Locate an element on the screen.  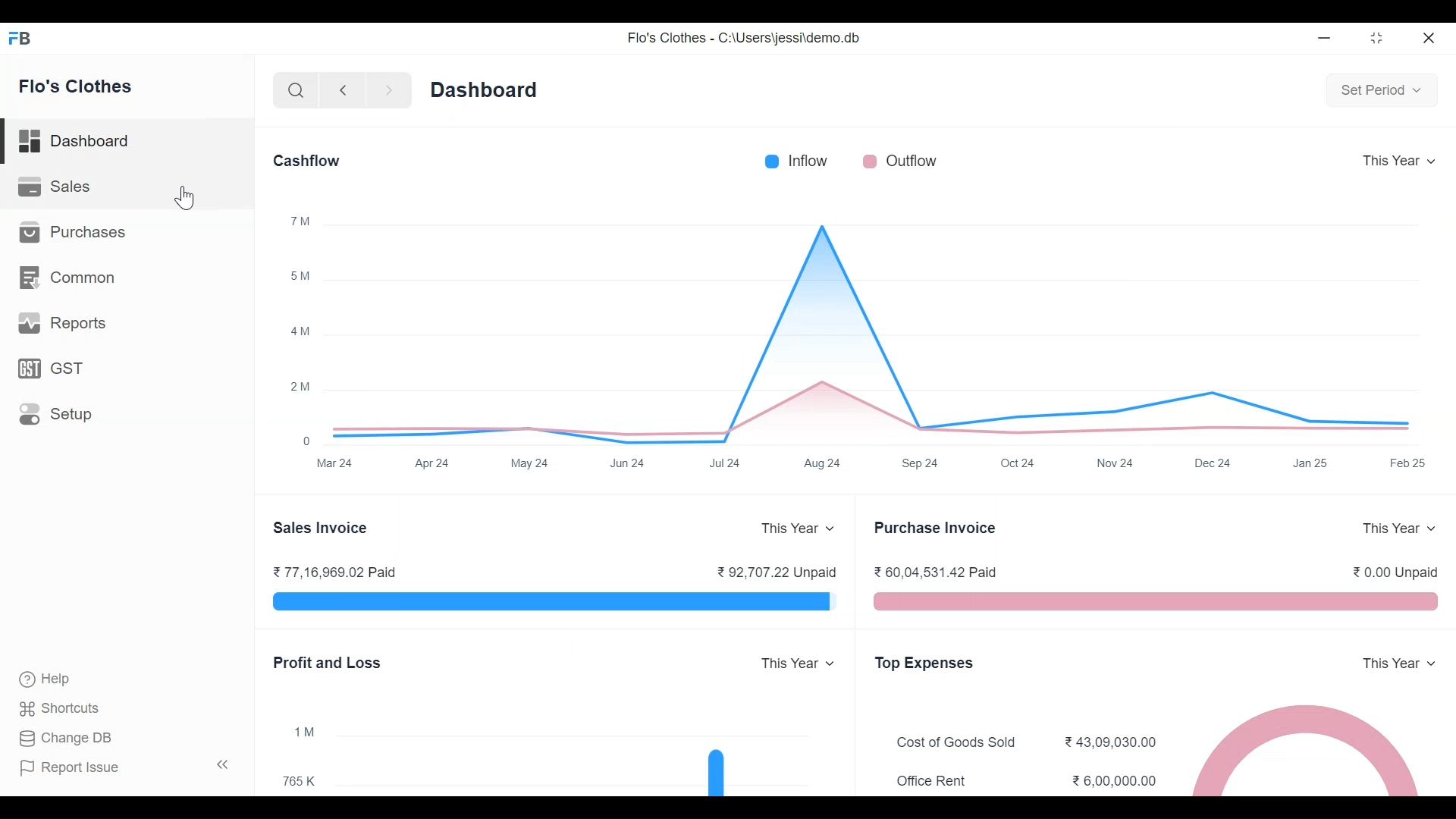
2M is located at coordinates (302, 388).